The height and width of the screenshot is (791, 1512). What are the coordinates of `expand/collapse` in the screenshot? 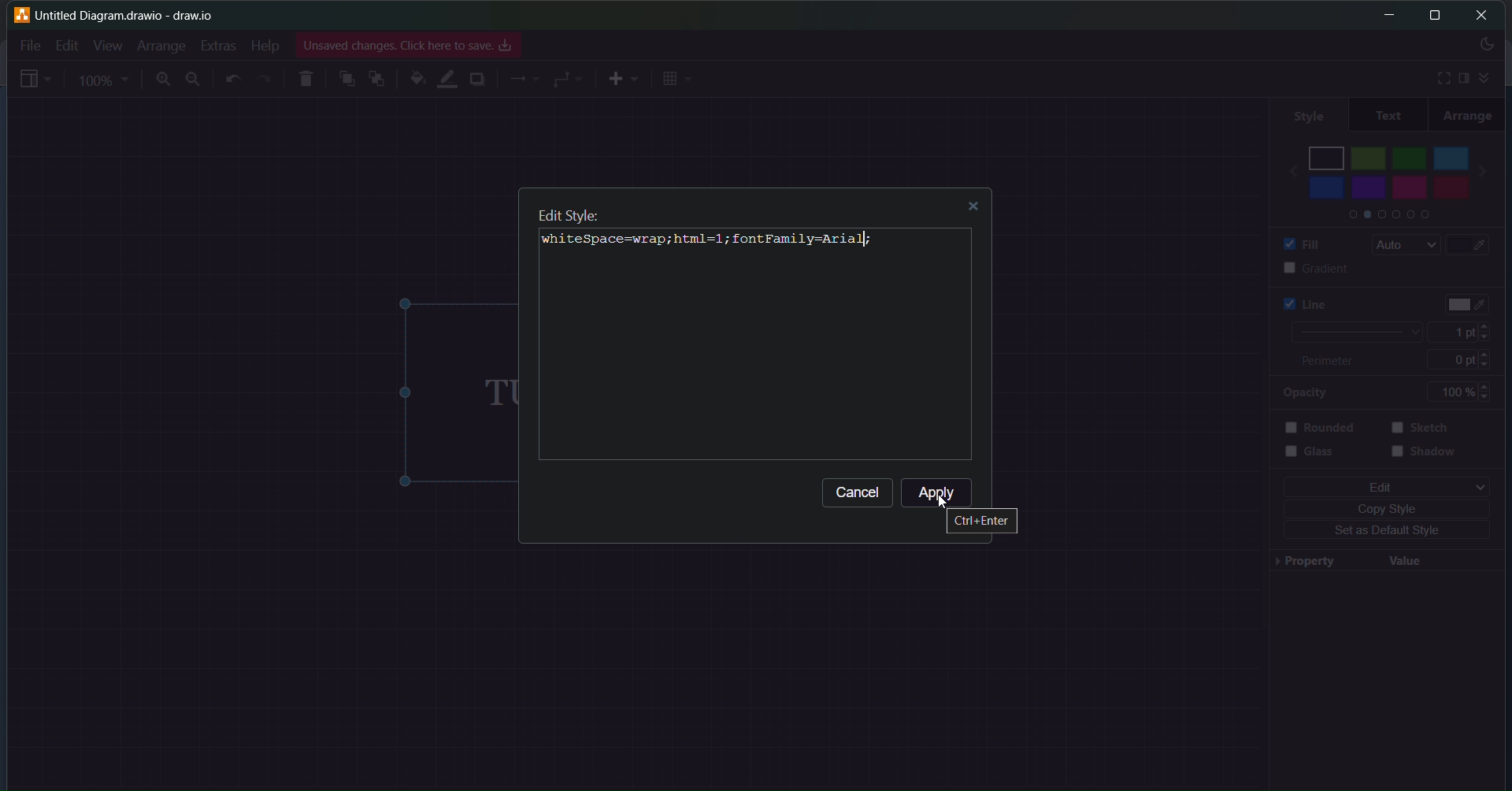 It's located at (1488, 76).